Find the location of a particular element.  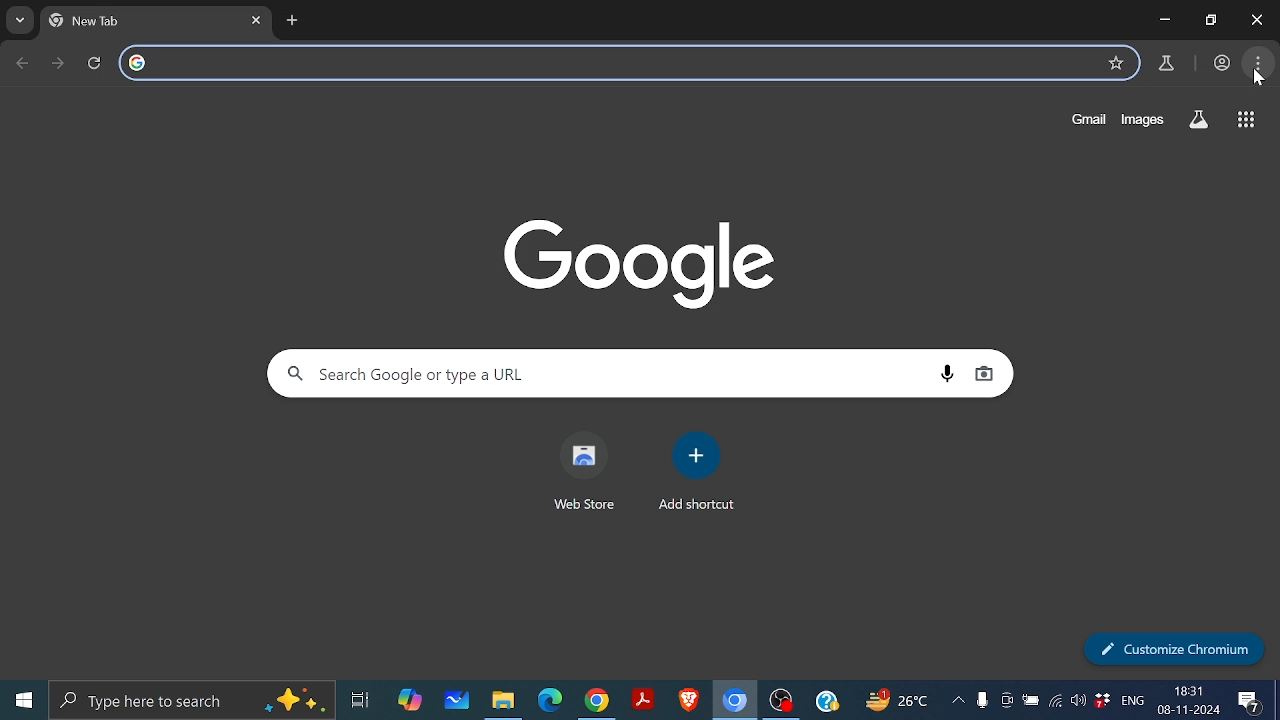

Close current tab is located at coordinates (260, 20).